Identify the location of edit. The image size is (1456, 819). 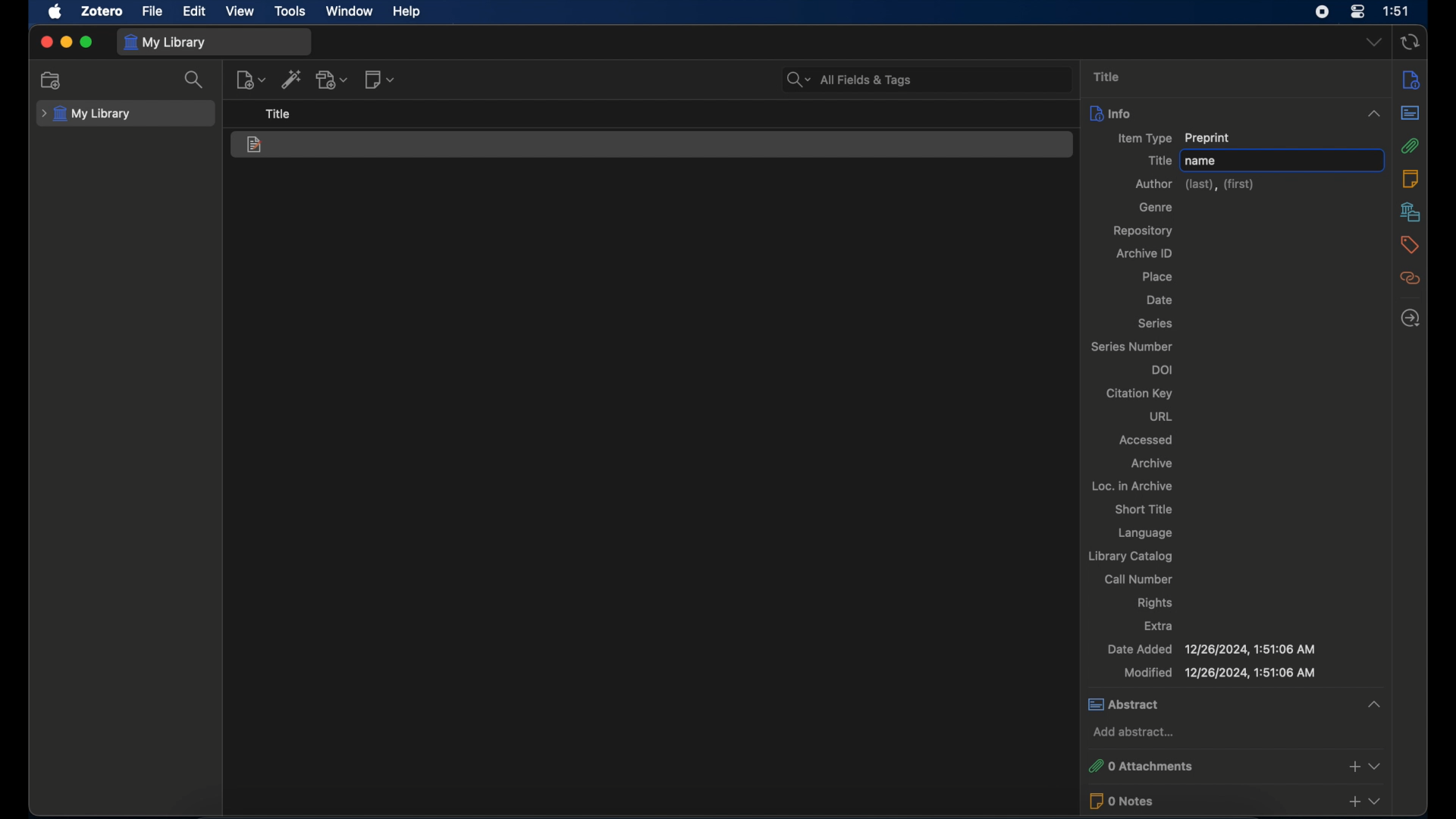
(196, 12).